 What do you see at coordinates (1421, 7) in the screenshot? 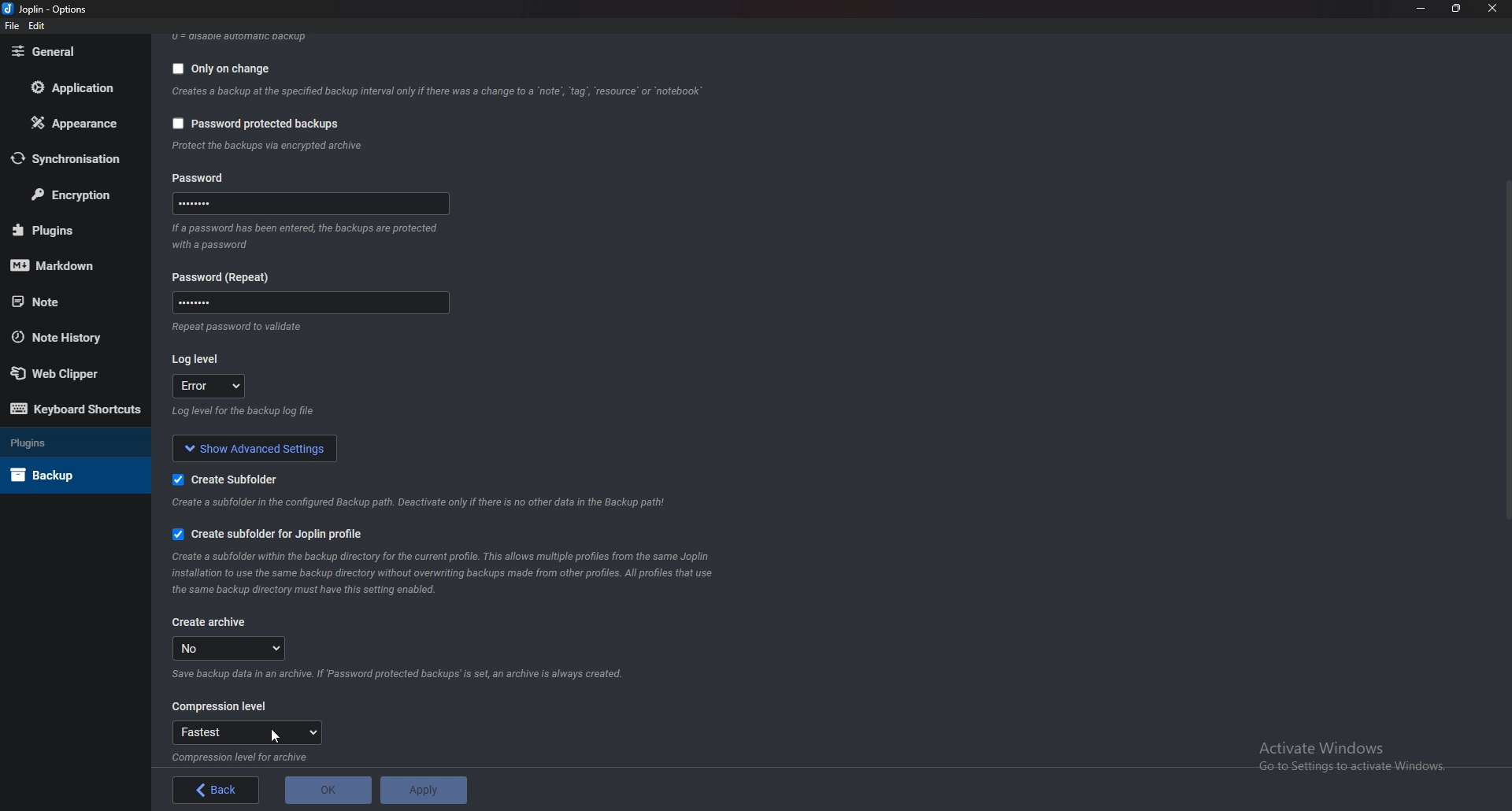
I see `Minimize` at bounding box center [1421, 7].